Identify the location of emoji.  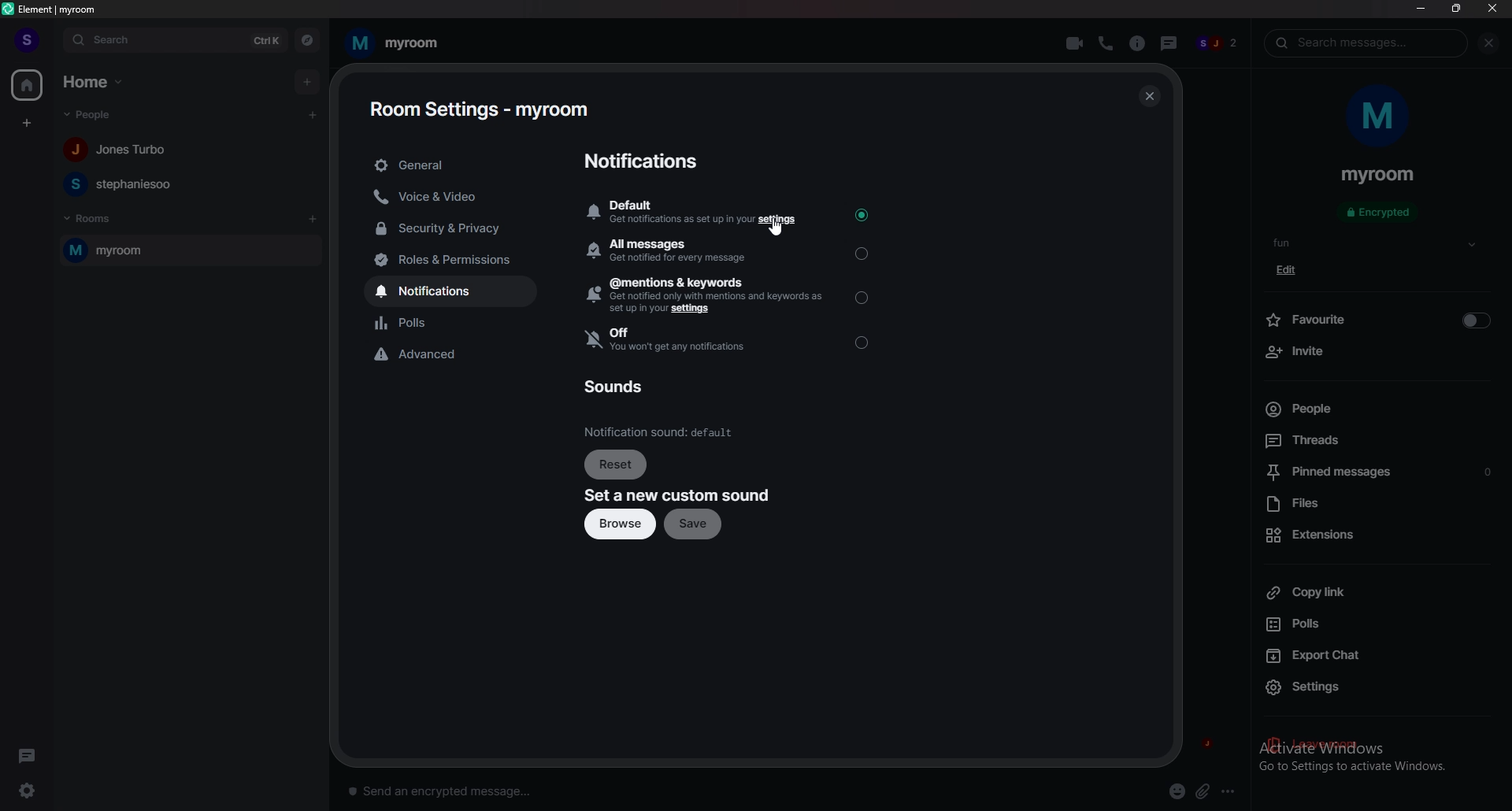
(1178, 792).